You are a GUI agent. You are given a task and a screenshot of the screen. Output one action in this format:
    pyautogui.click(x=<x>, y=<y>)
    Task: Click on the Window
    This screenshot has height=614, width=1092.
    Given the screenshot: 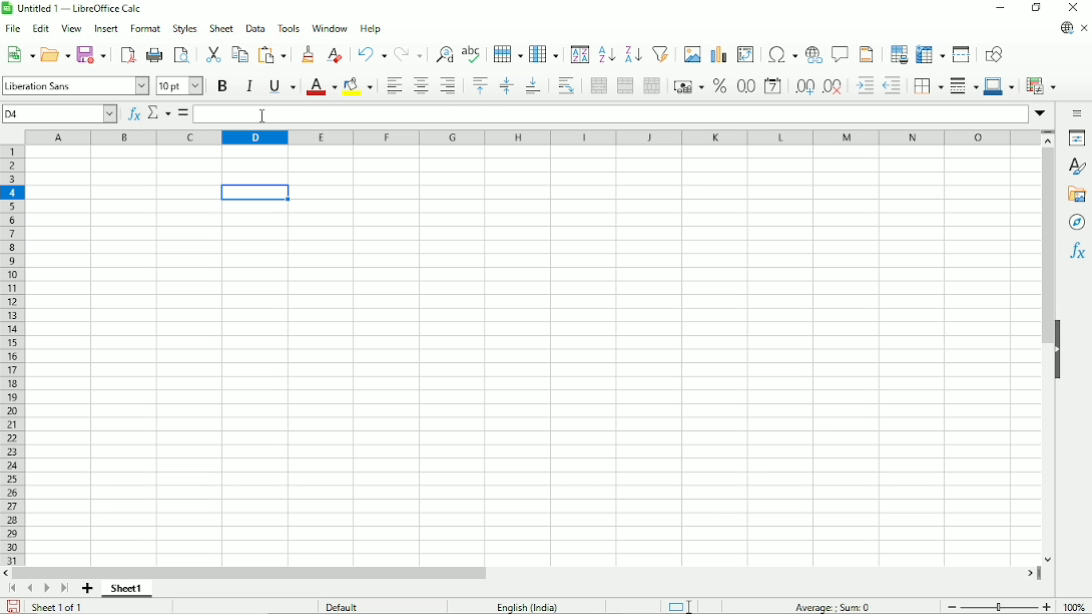 What is the action you would take?
    pyautogui.click(x=330, y=28)
    